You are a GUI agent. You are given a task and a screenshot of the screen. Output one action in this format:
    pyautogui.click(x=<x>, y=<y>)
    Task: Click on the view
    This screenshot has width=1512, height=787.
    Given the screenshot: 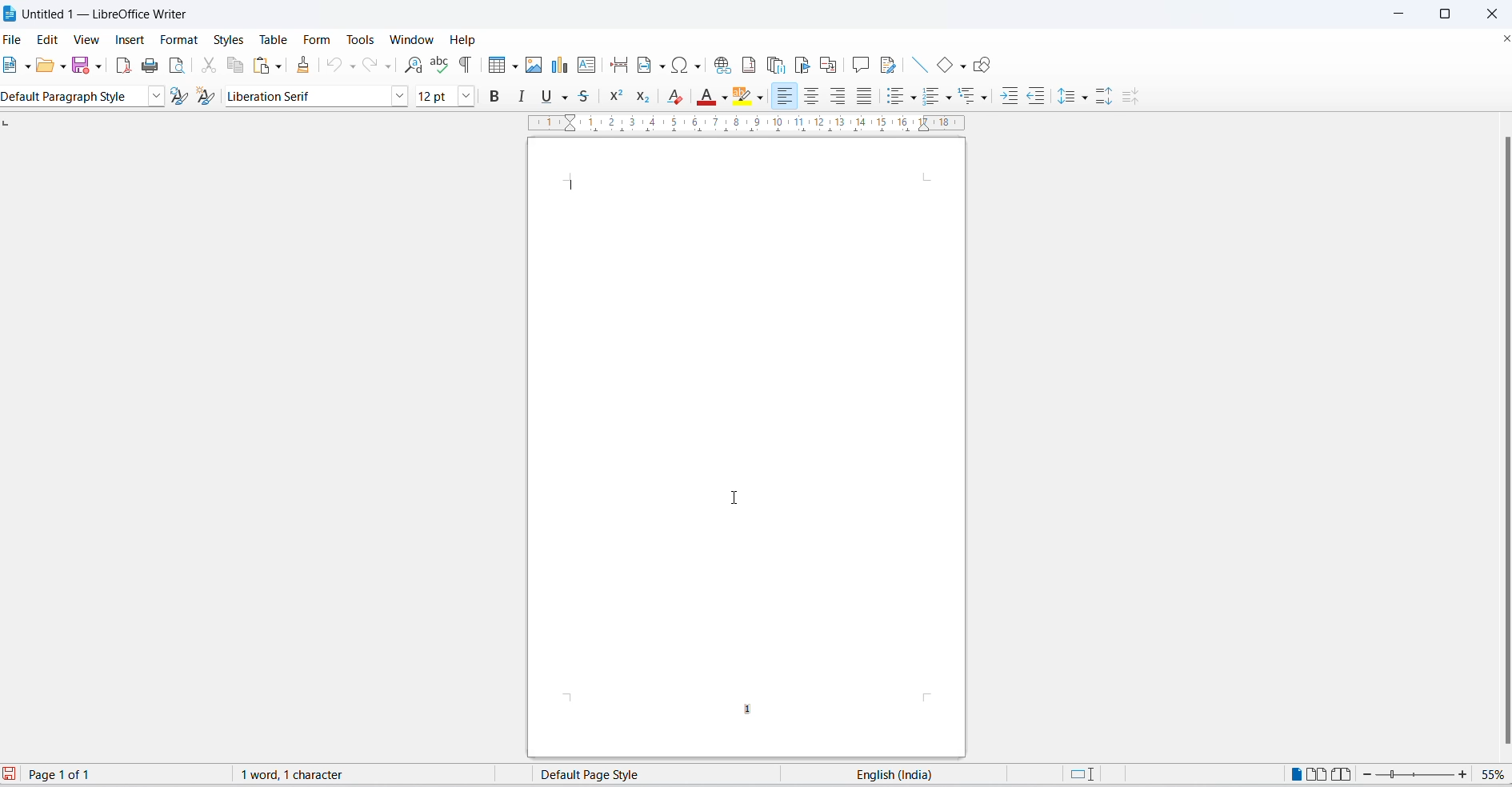 What is the action you would take?
    pyautogui.click(x=87, y=38)
    